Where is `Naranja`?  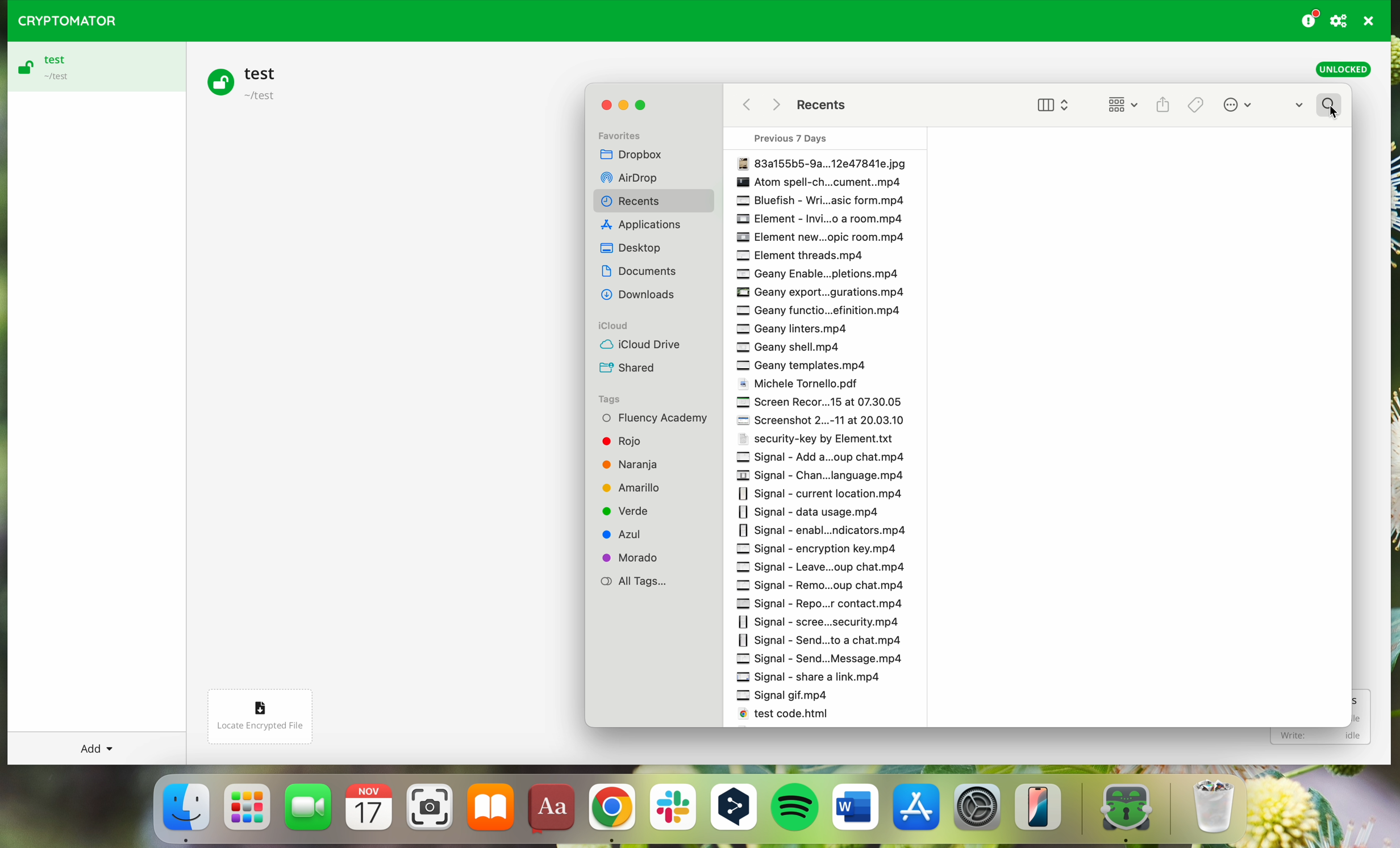 Naranja is located at coordinates (641, 463).